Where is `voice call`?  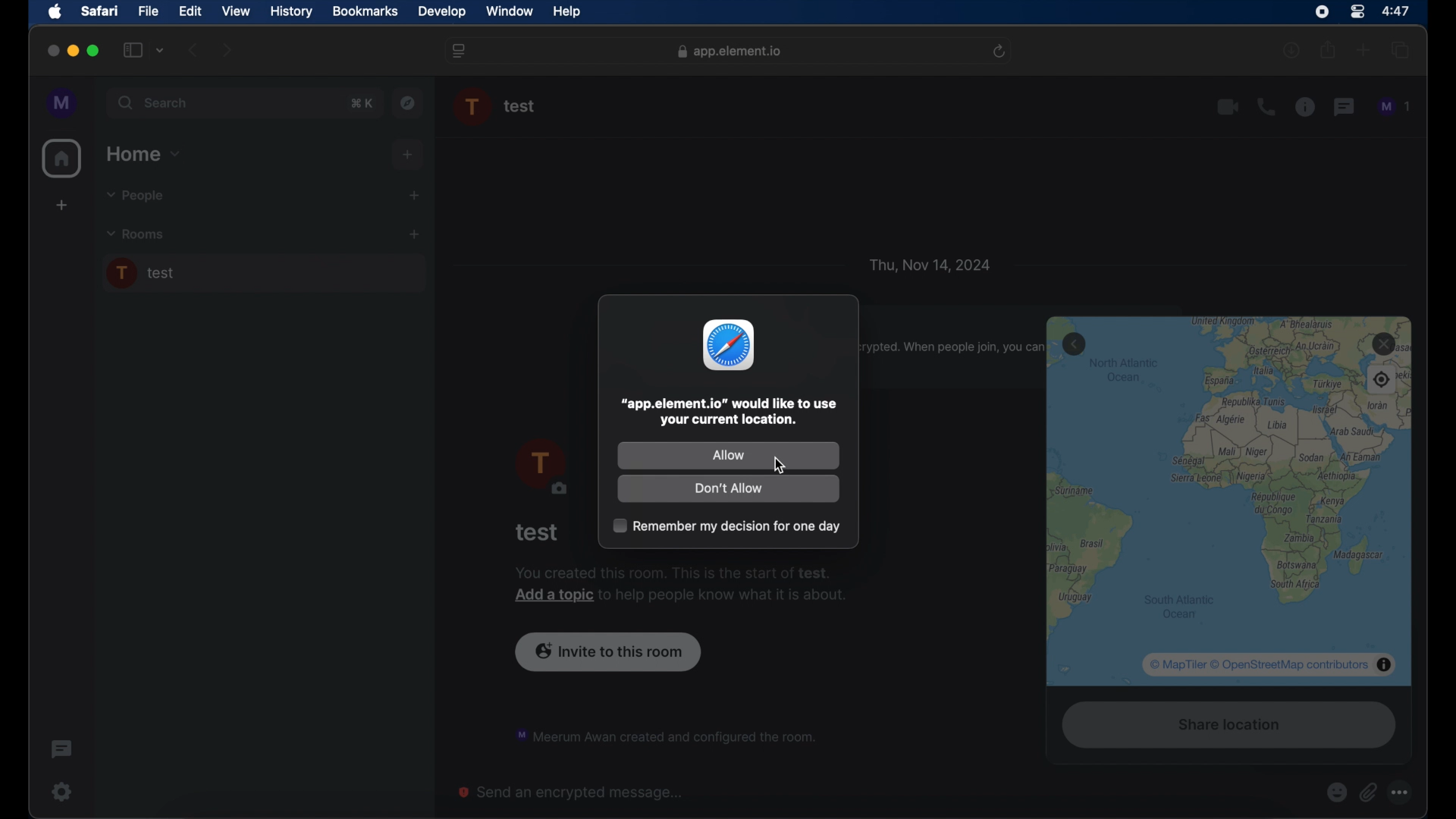
voice call is located at coordinates (1266, 107).